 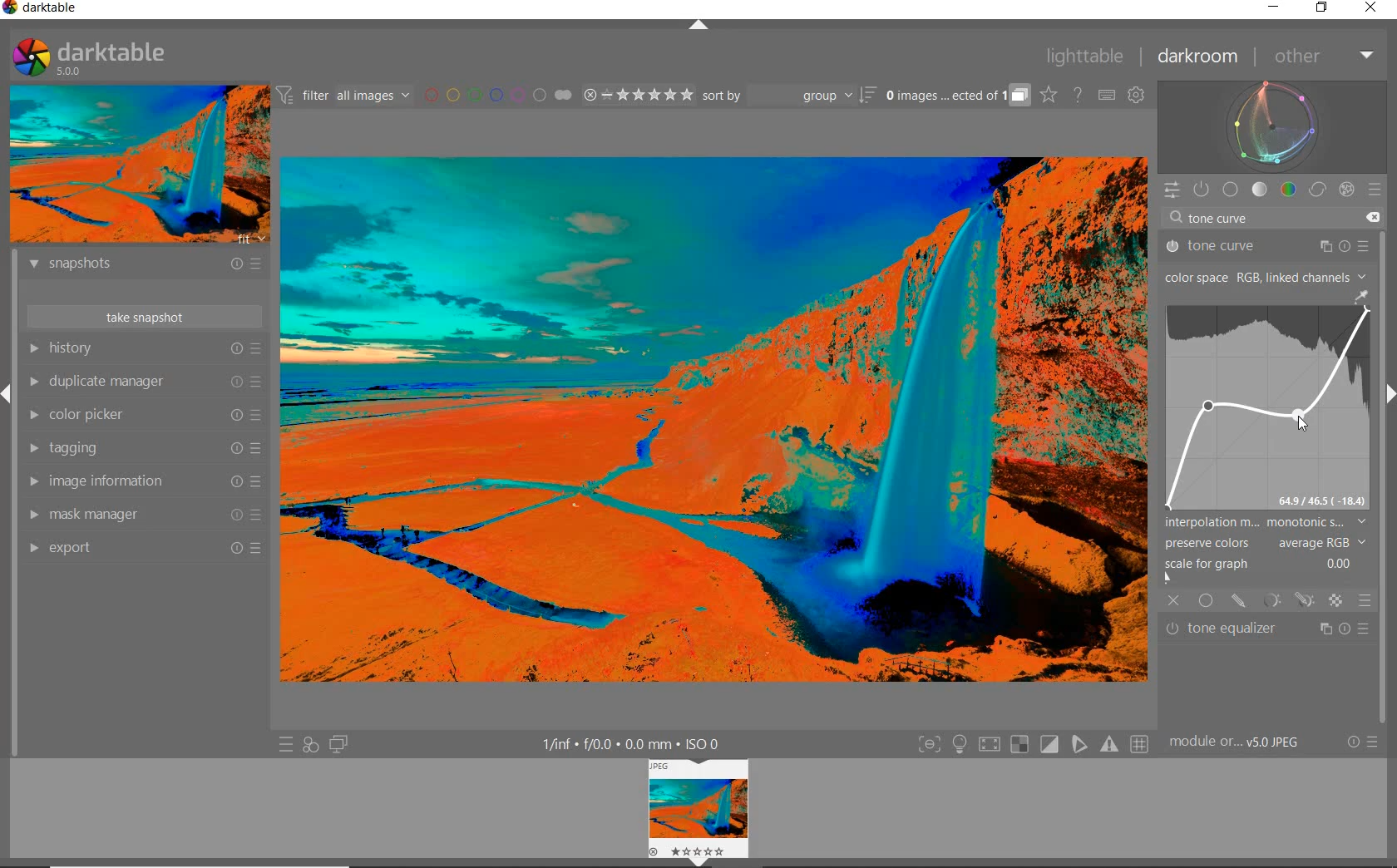 What do you see at coordinates (146, 515) in the screenshot?
I see `mask manager` at bounding box center [146, 515].